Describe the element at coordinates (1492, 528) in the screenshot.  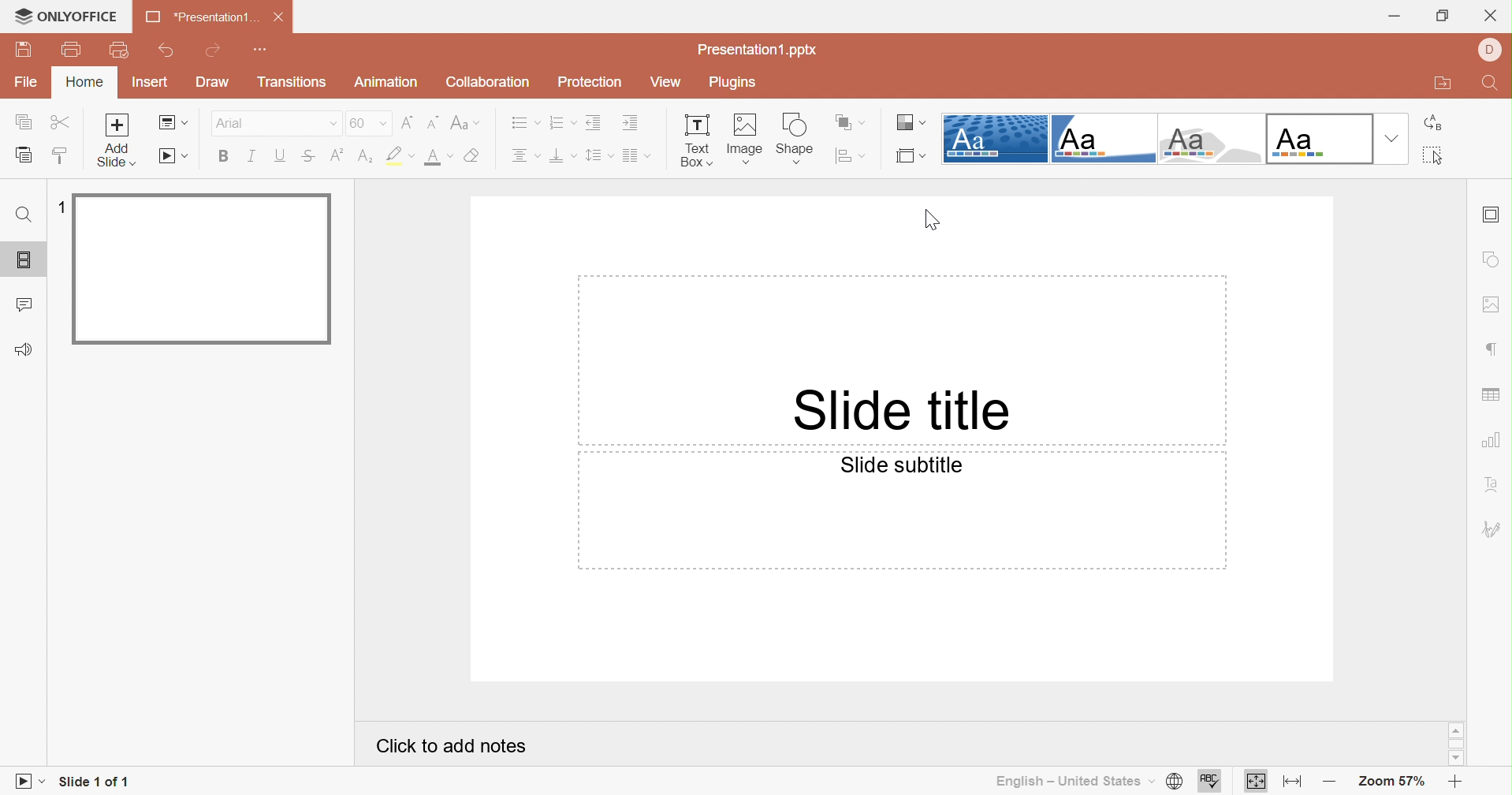
I see `Signature settings` at that location.